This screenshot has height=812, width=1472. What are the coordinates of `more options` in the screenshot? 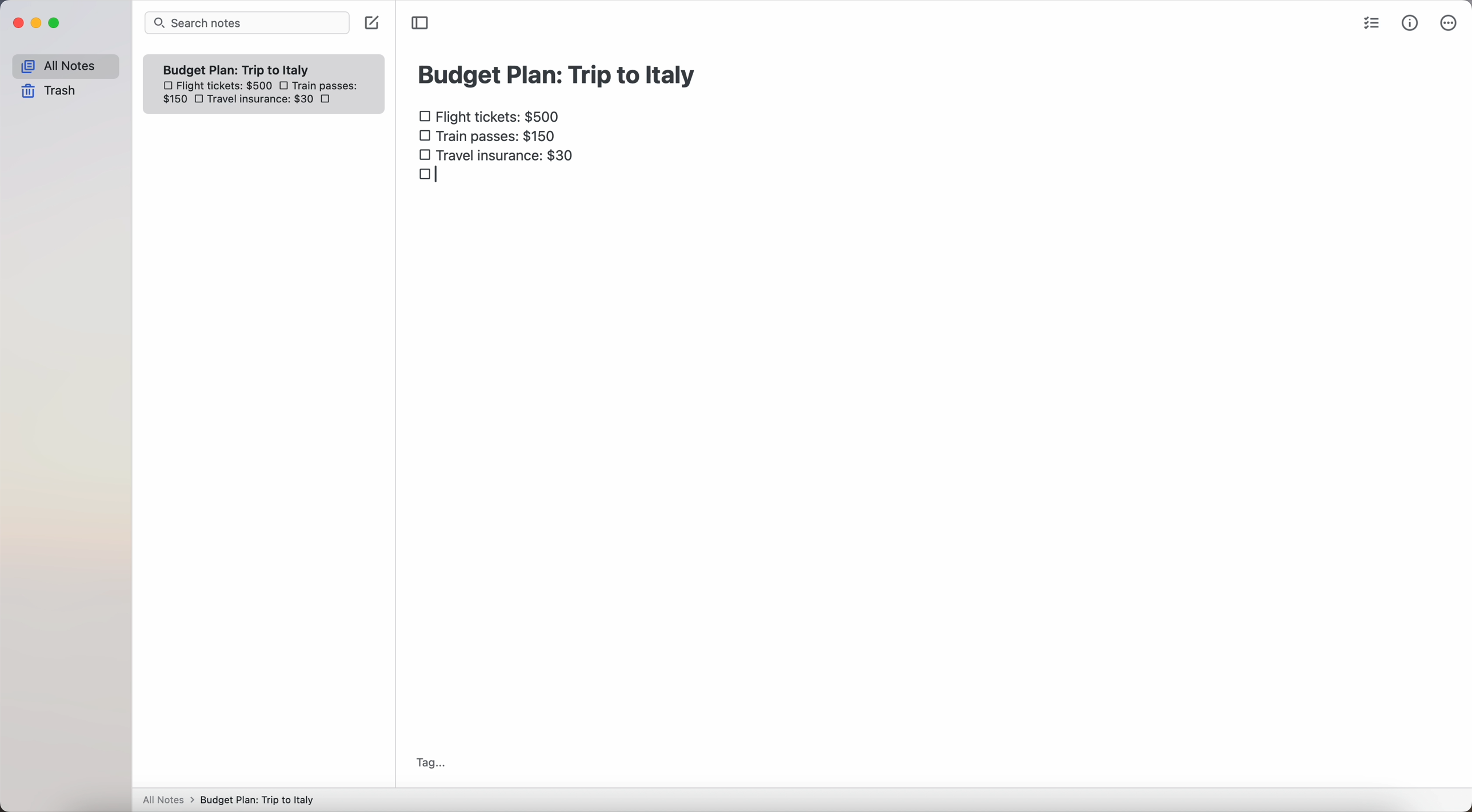 It's located at (1449, 23).